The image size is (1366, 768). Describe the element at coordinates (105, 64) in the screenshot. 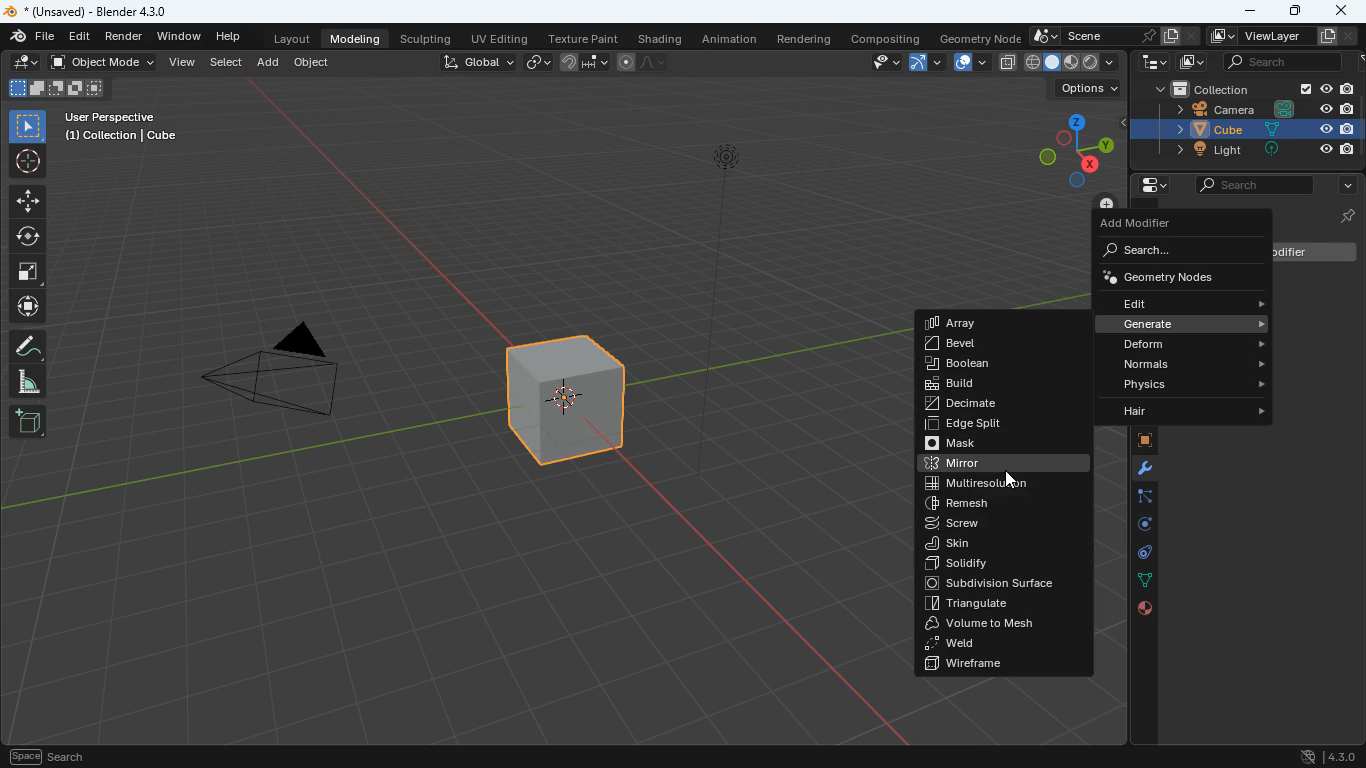

I see `object mode` at that location.